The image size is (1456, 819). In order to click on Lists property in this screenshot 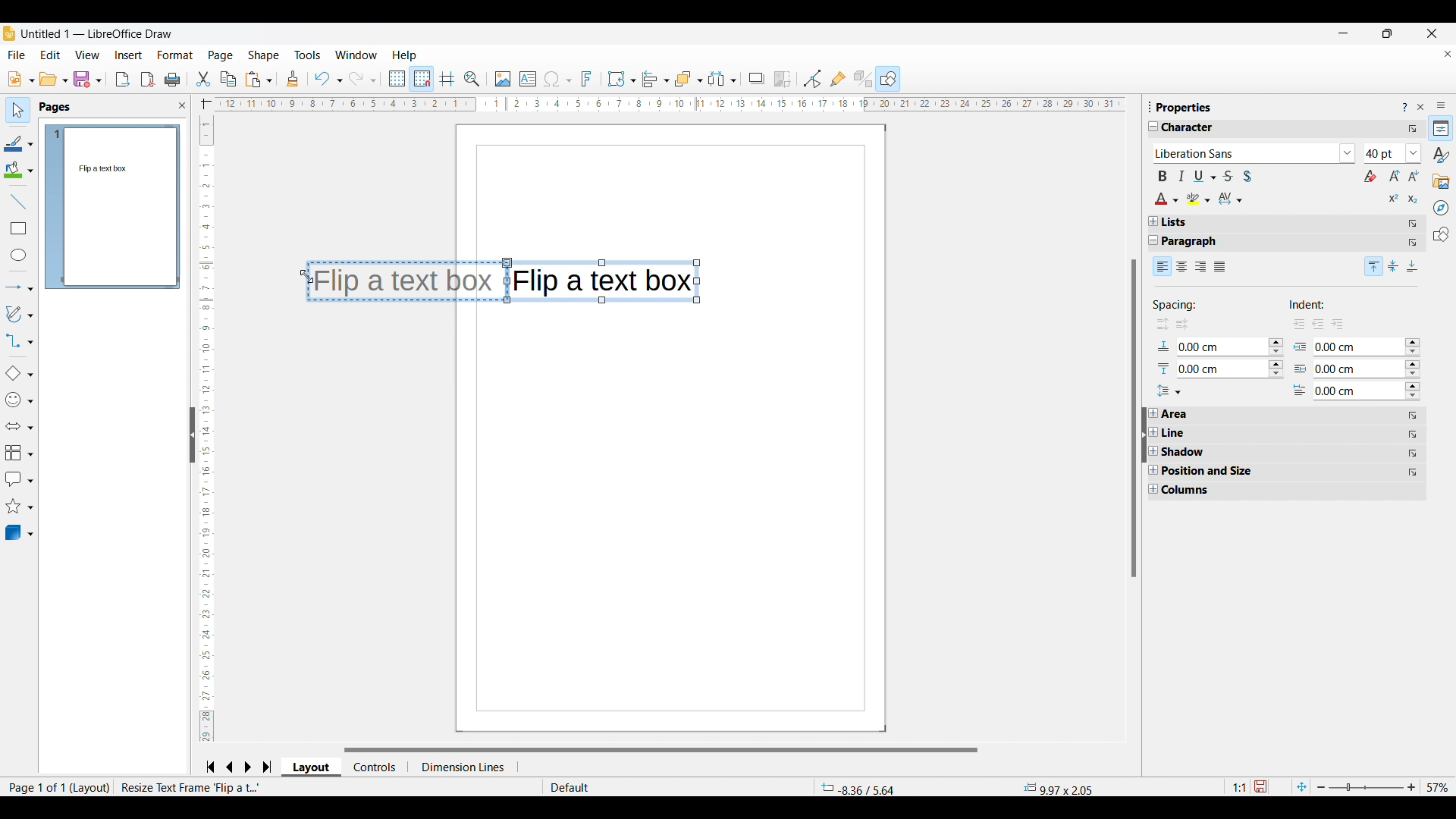, I will do `click(1175, 222)`.